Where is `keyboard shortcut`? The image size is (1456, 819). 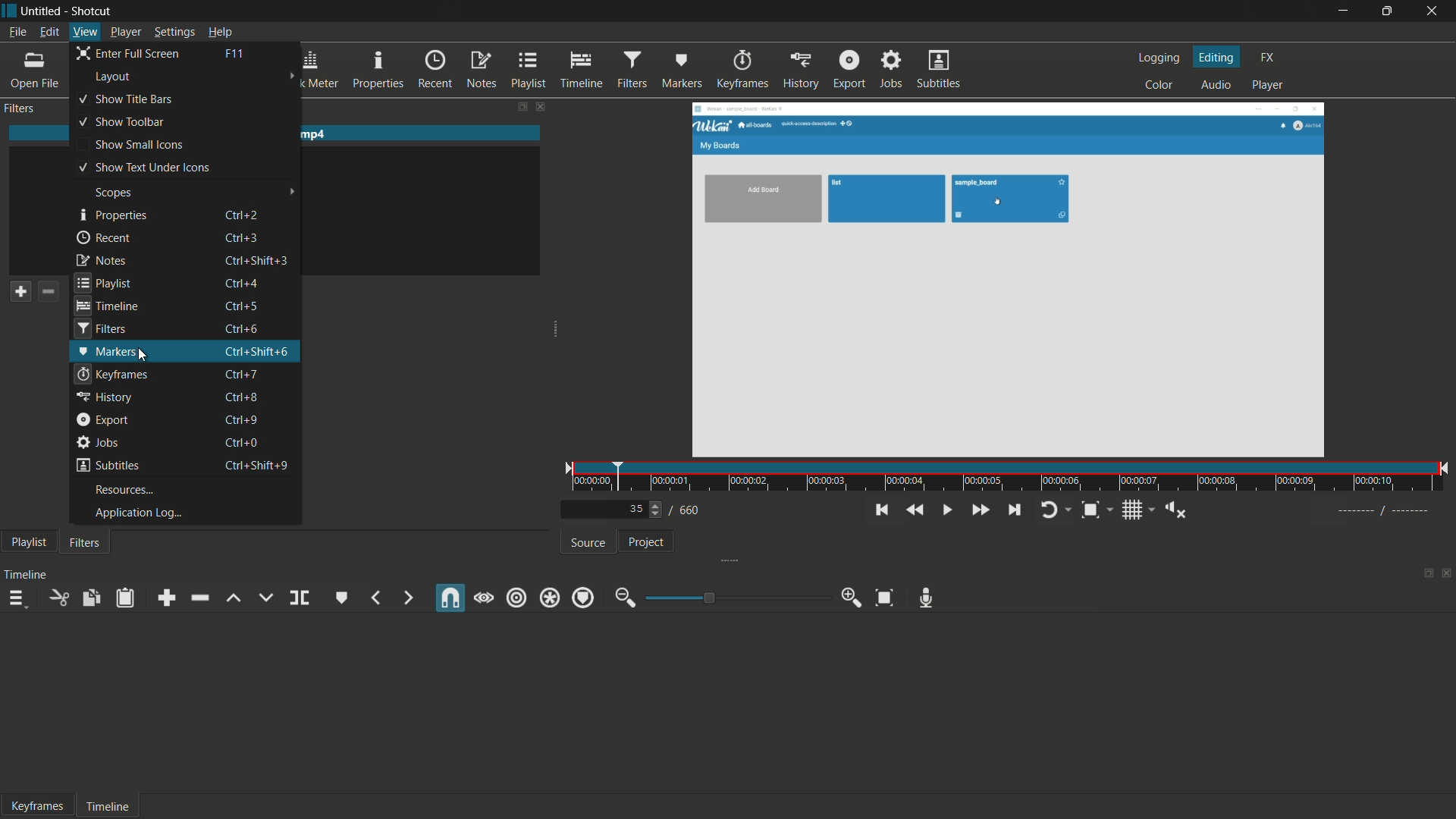
keyboard shortcut is located at coordinates (256, 261).